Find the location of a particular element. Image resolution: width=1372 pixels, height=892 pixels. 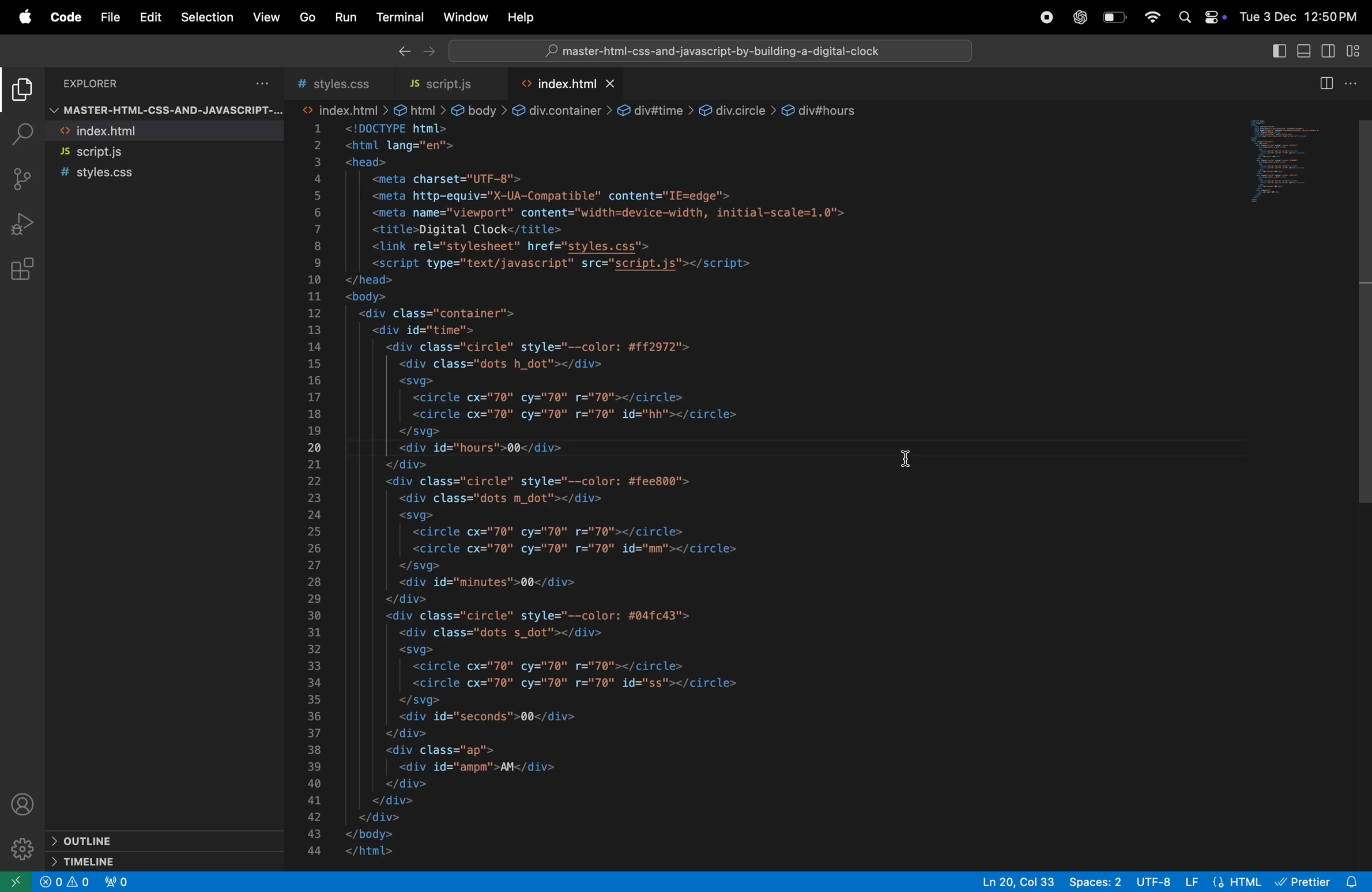

window is located at coordinates (466, 17).